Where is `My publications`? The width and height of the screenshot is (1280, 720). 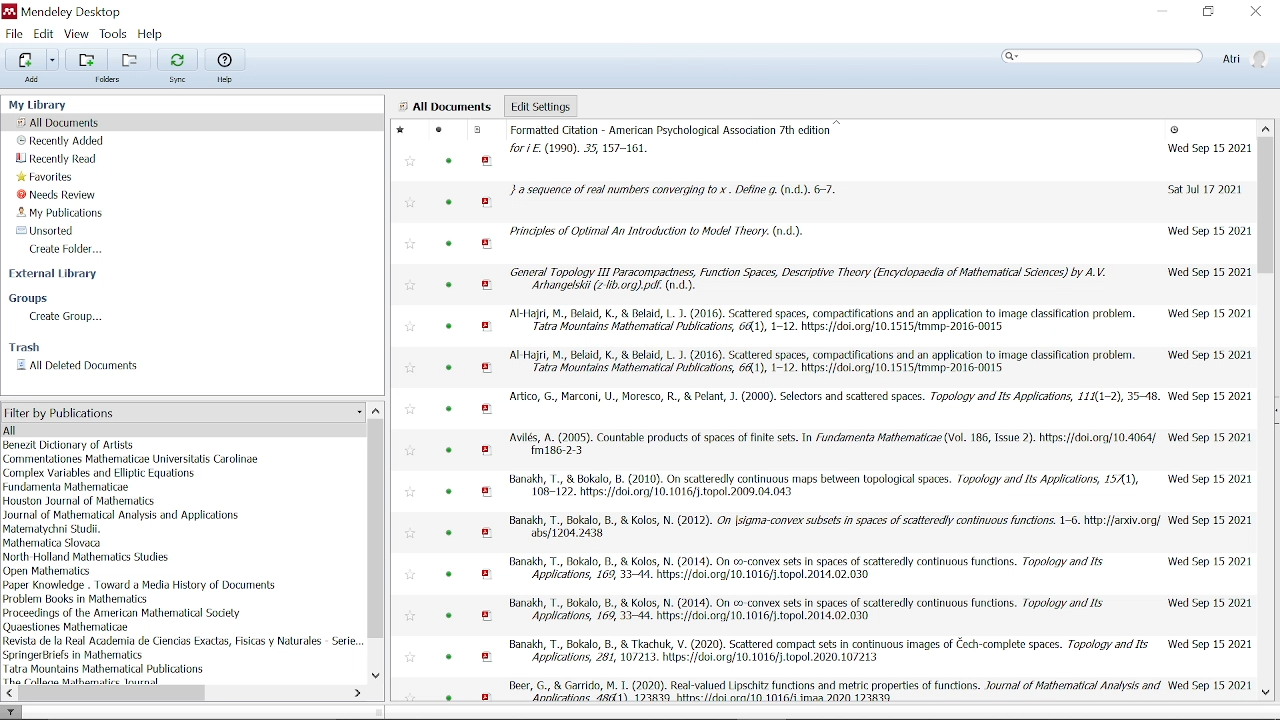 My publications is located at coordinates (62, 213).